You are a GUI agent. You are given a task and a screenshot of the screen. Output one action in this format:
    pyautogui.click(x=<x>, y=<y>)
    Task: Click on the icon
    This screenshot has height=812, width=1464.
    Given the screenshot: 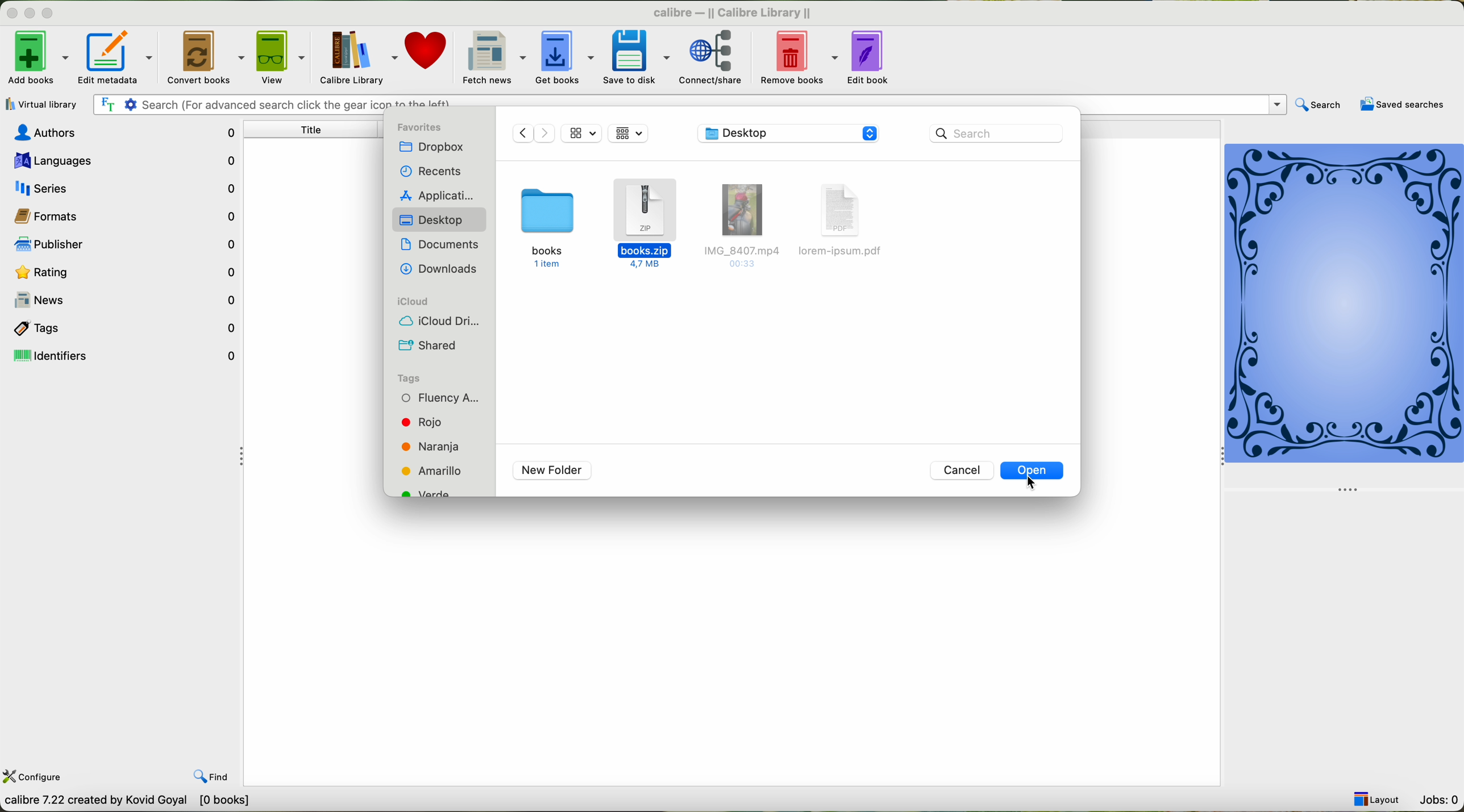 What is the action you would take?
    pyautogui.click(x=582, y=135)
    